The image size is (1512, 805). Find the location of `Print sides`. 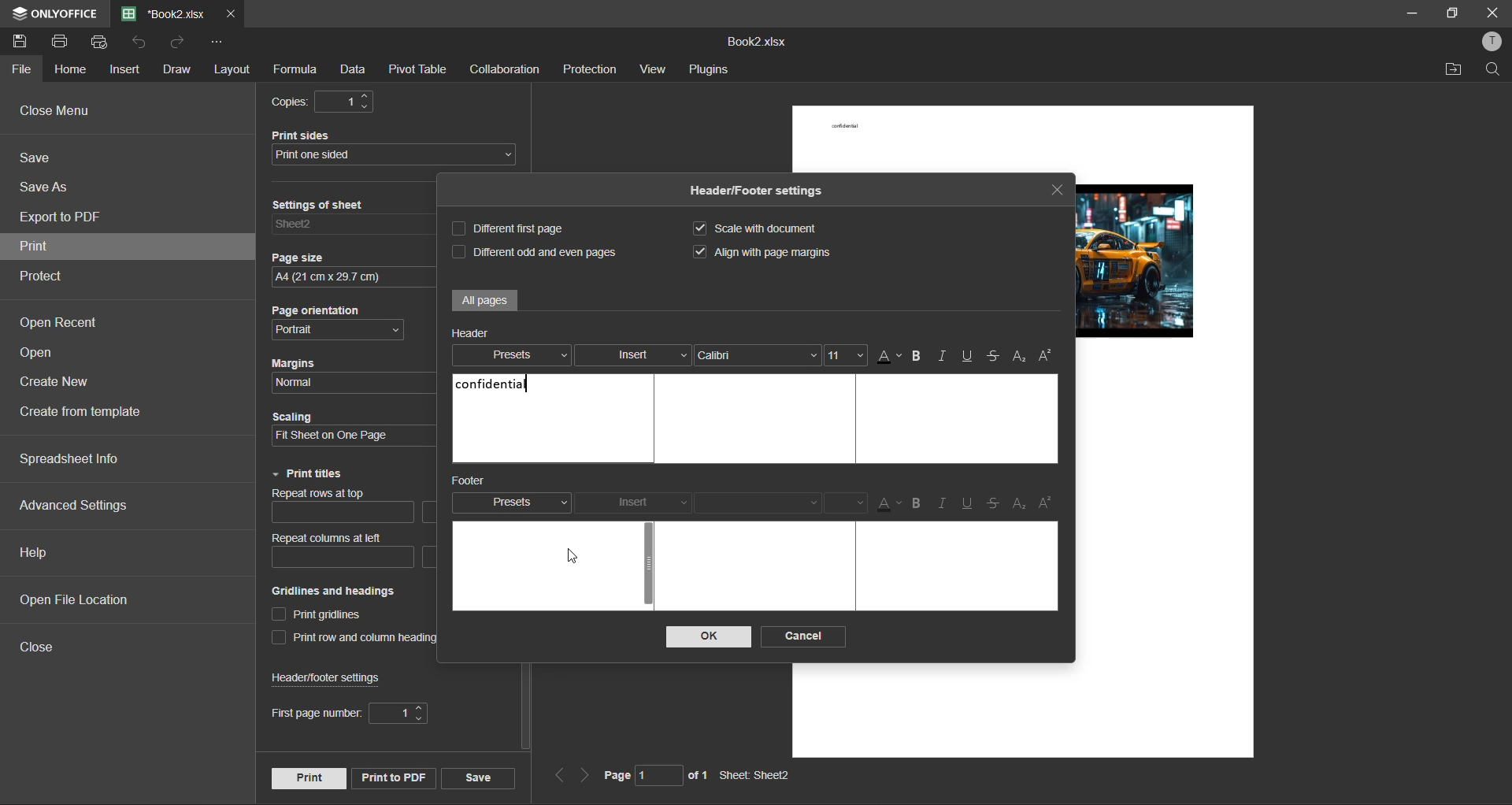

Print sides is located at coordinates (305, 134).